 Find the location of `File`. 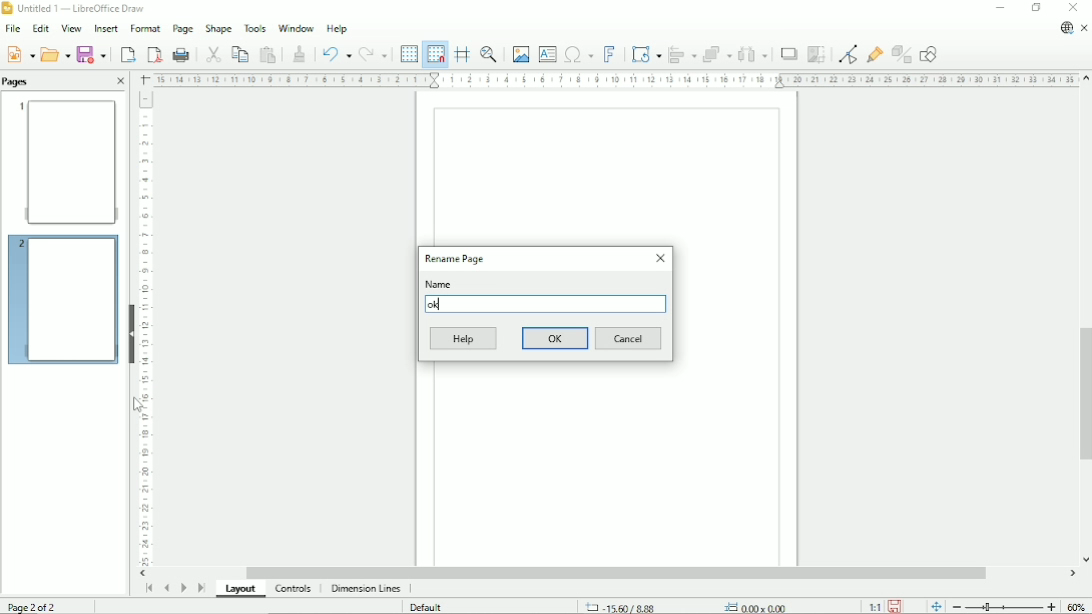

File is located at coordinates (11, 29).